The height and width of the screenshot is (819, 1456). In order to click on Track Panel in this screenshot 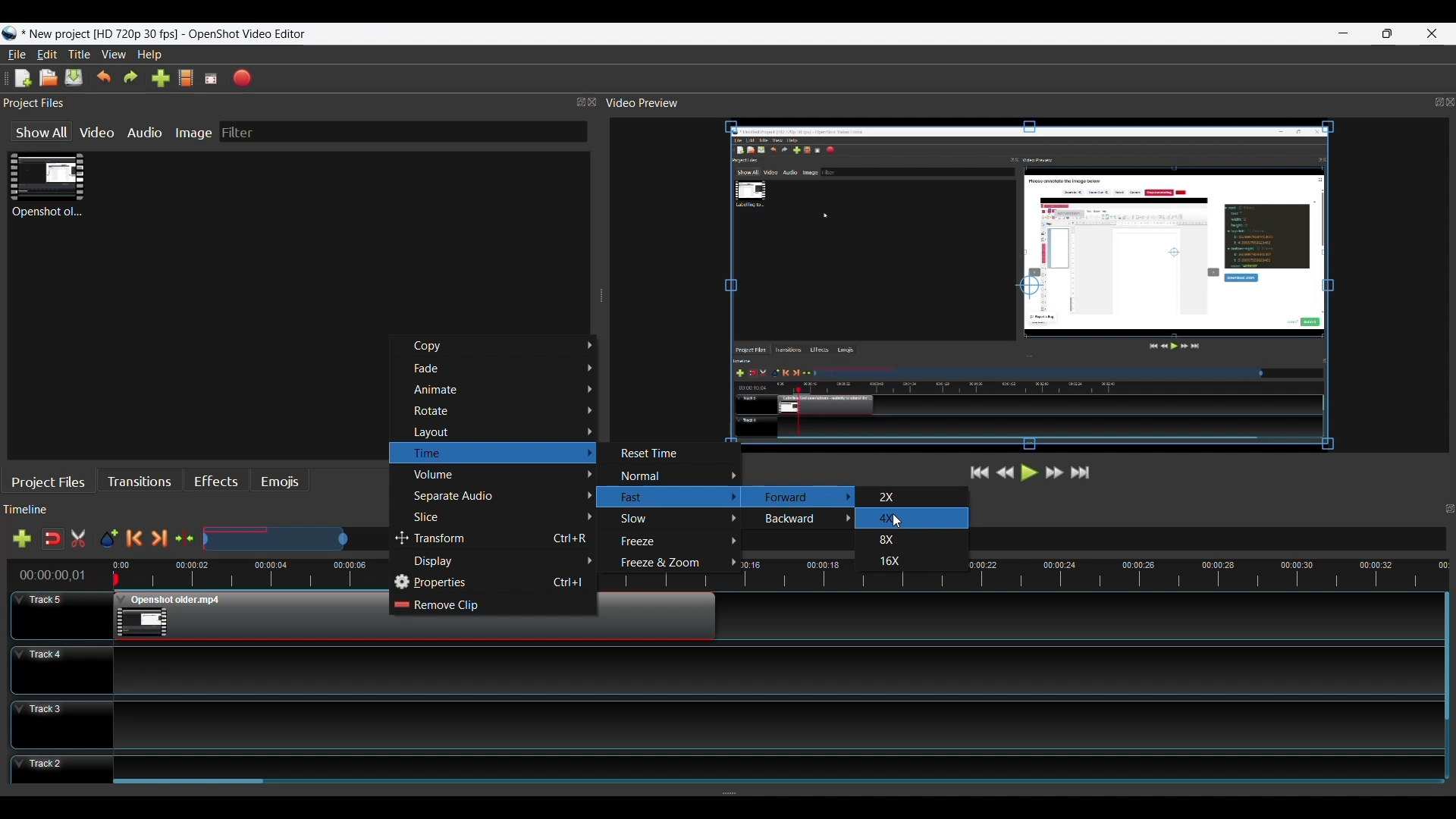, I will do `click(775, 670)`.